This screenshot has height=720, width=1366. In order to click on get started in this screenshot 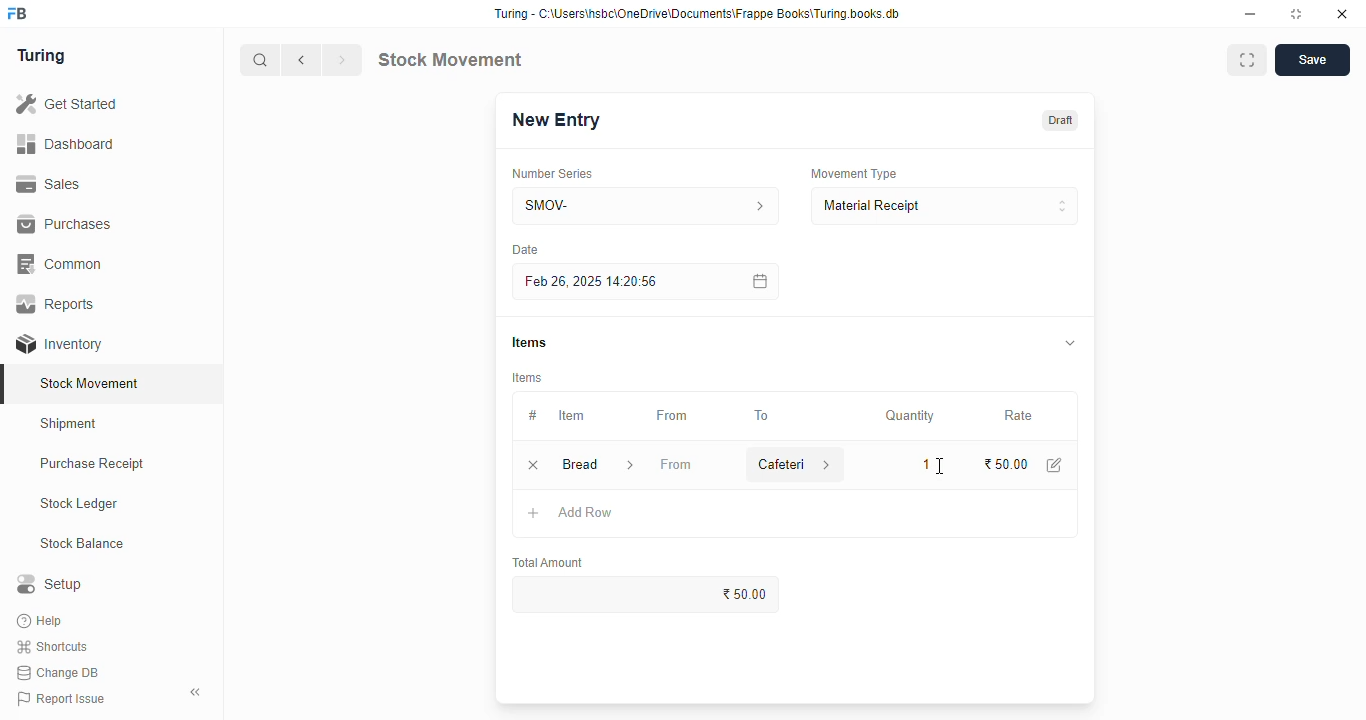, I will do `click(68, 104)`.